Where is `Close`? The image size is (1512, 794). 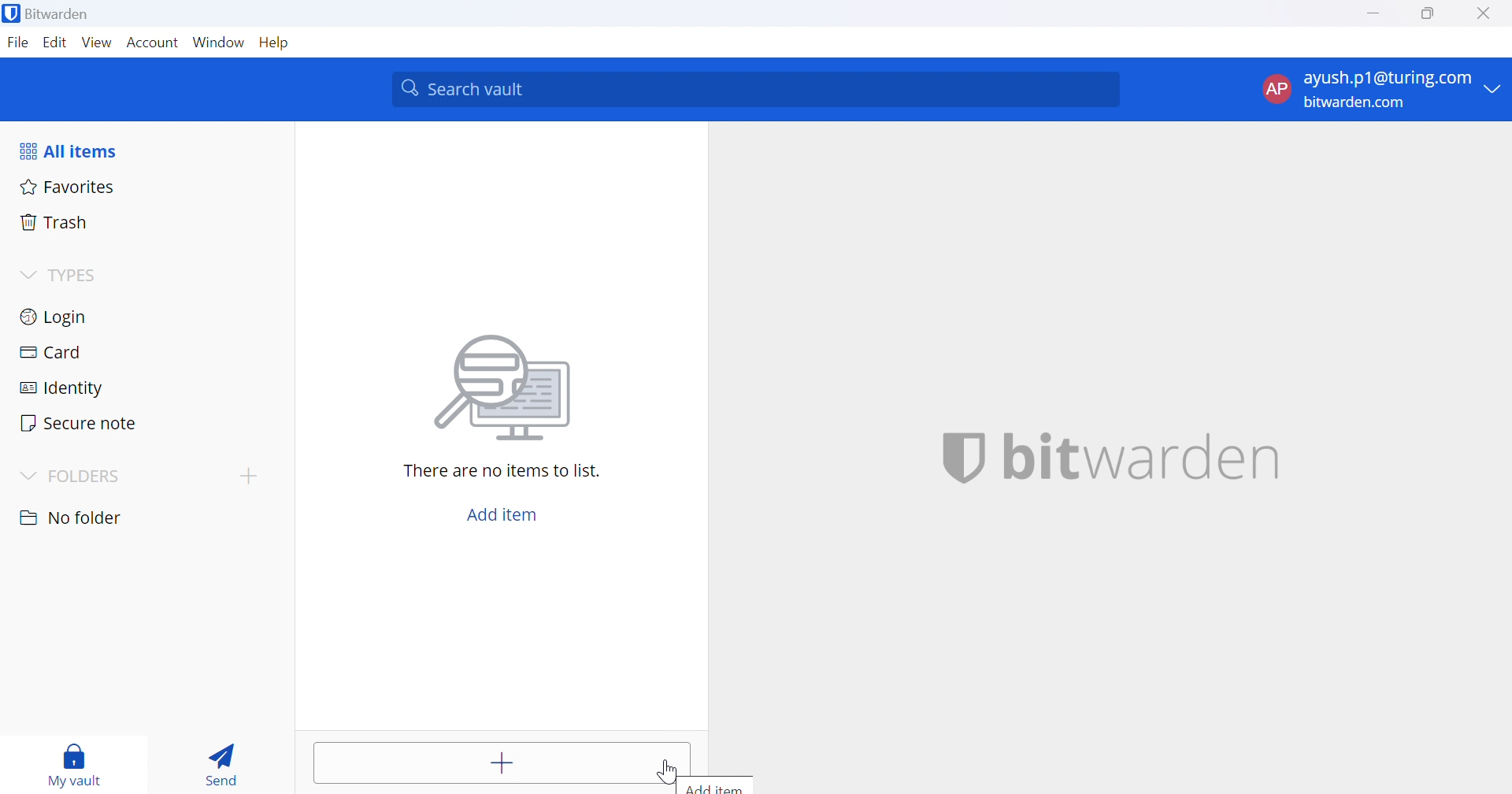
Close is located at coordinates (1486, 15).